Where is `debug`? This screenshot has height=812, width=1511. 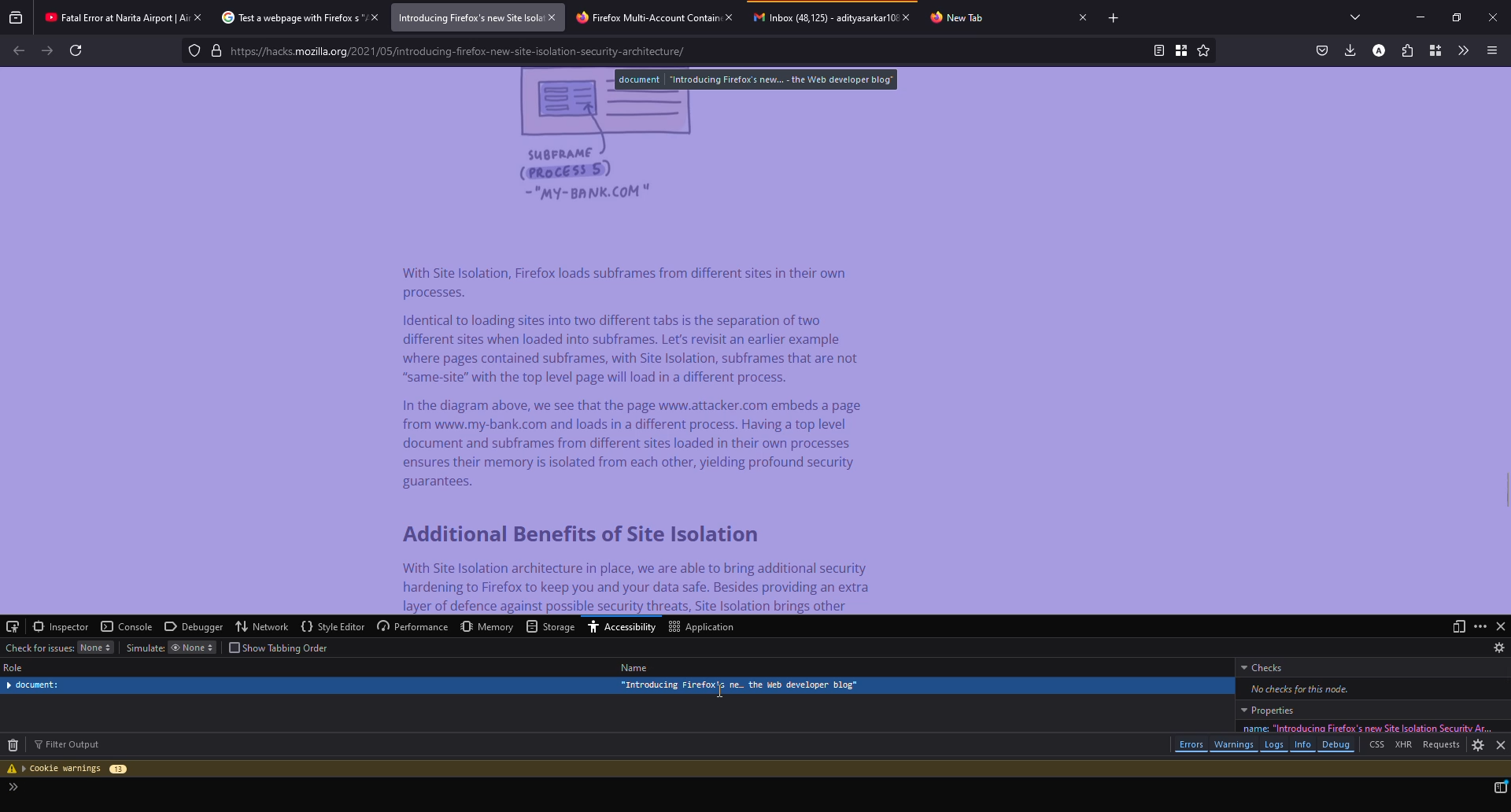 debug is located at coordinates (1338, 746).